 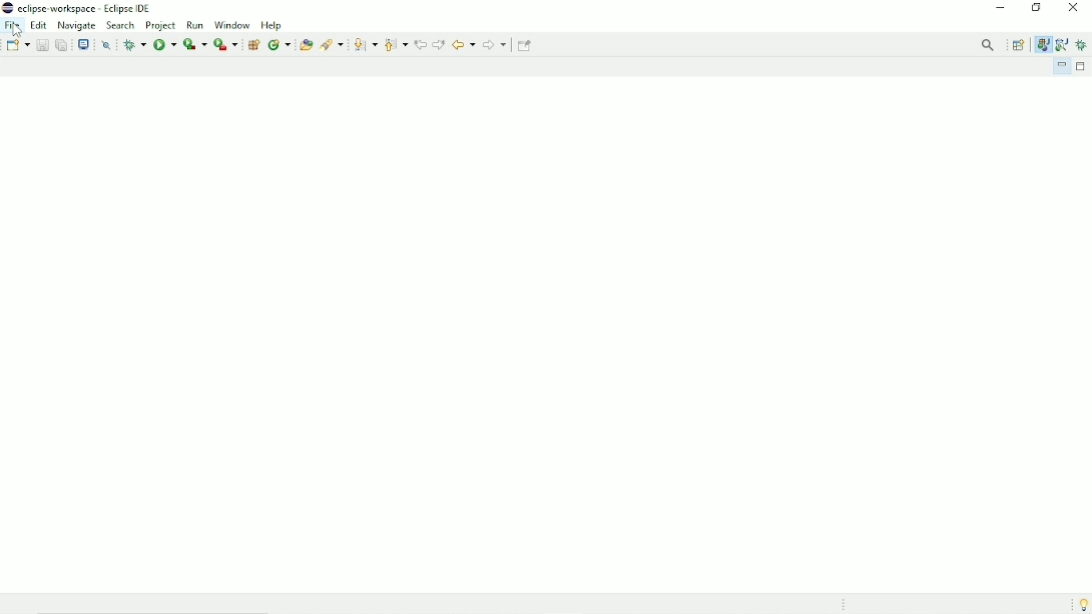 What do you see at coordinates (279, 45) in the screenshot?
I see `New java class` at bounding box center [279, 45].